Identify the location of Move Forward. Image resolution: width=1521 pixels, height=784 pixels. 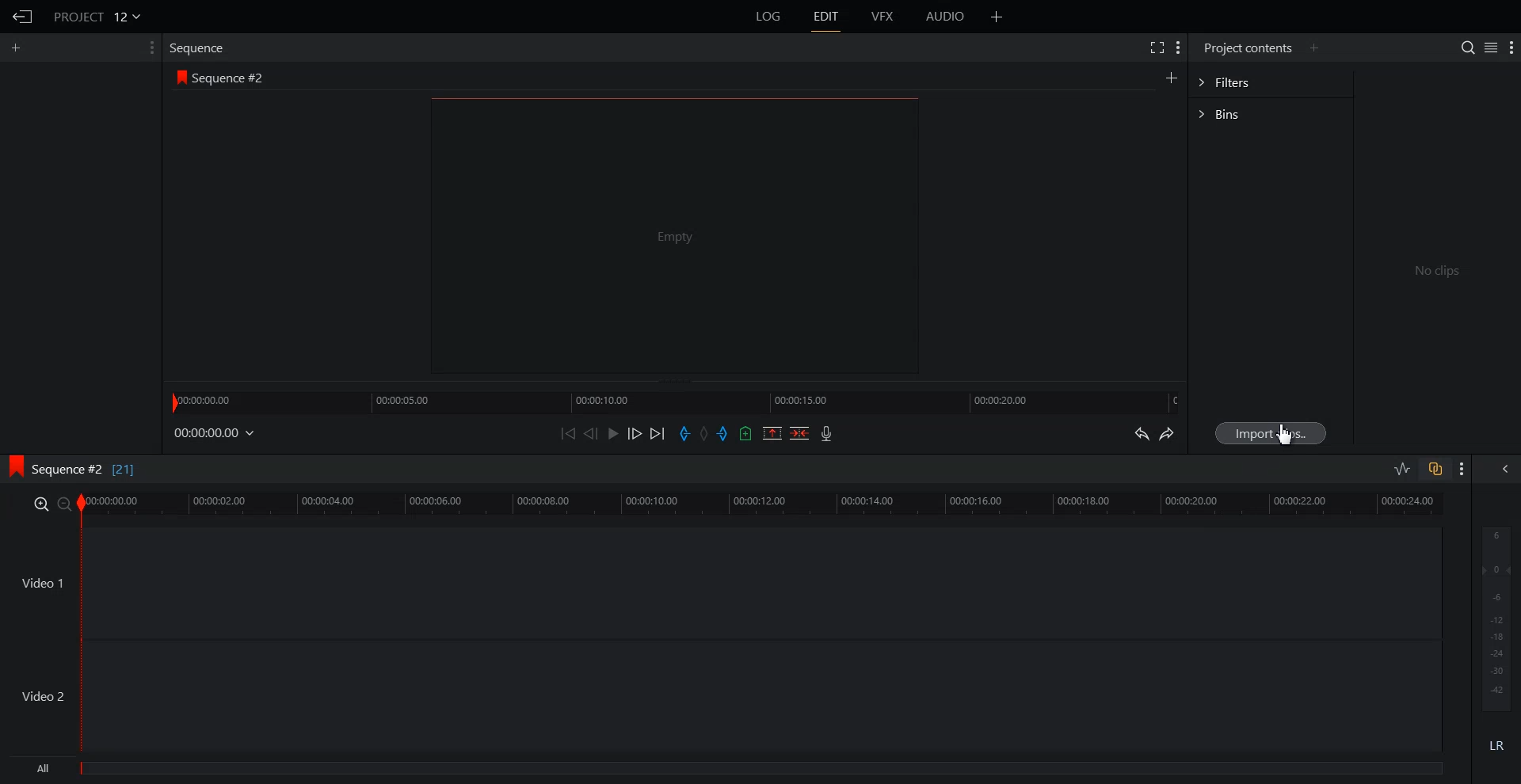
(658, 433).